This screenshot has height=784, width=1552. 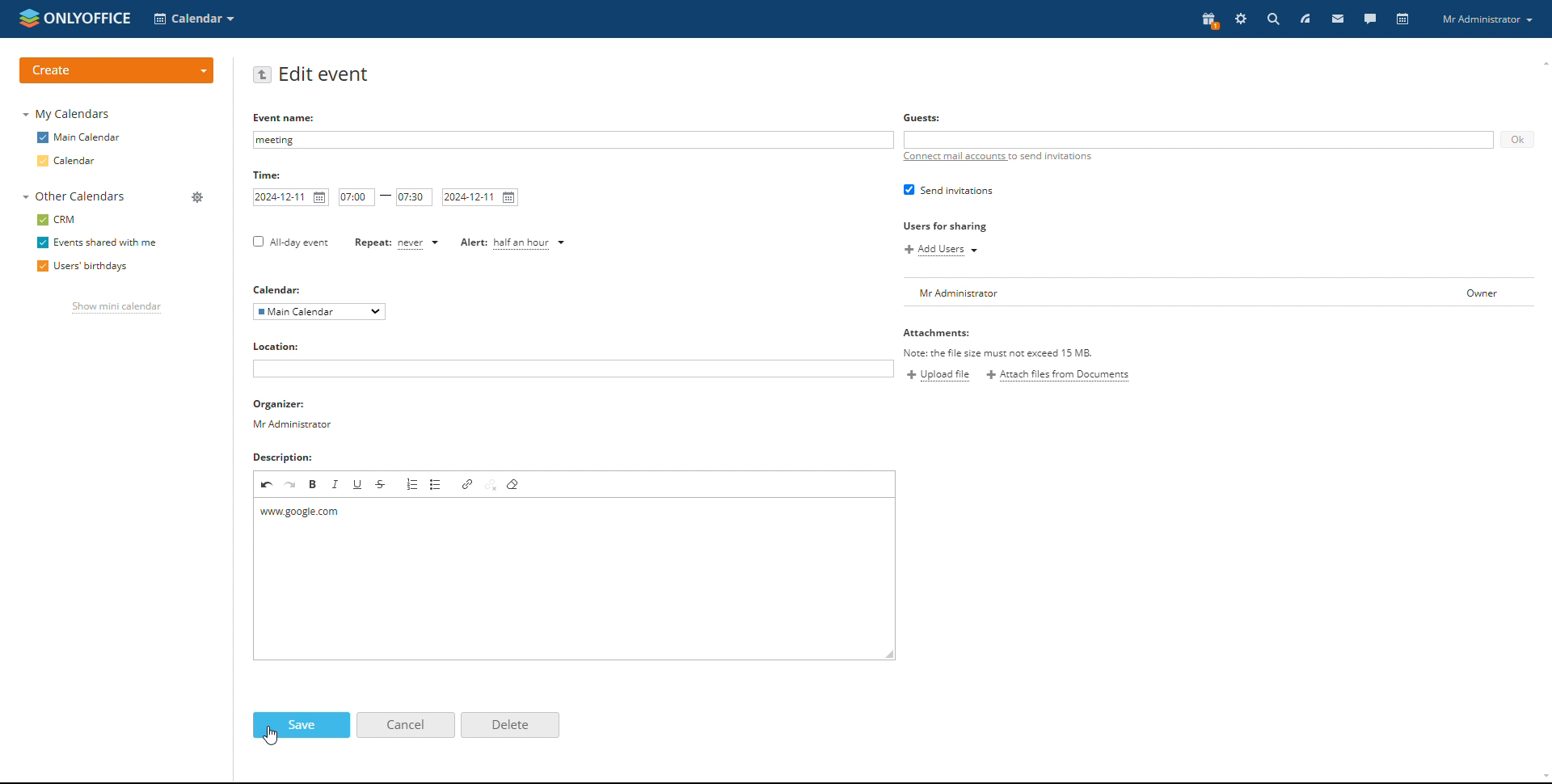 I want to click on select calendar, so click(x=318, y=312).